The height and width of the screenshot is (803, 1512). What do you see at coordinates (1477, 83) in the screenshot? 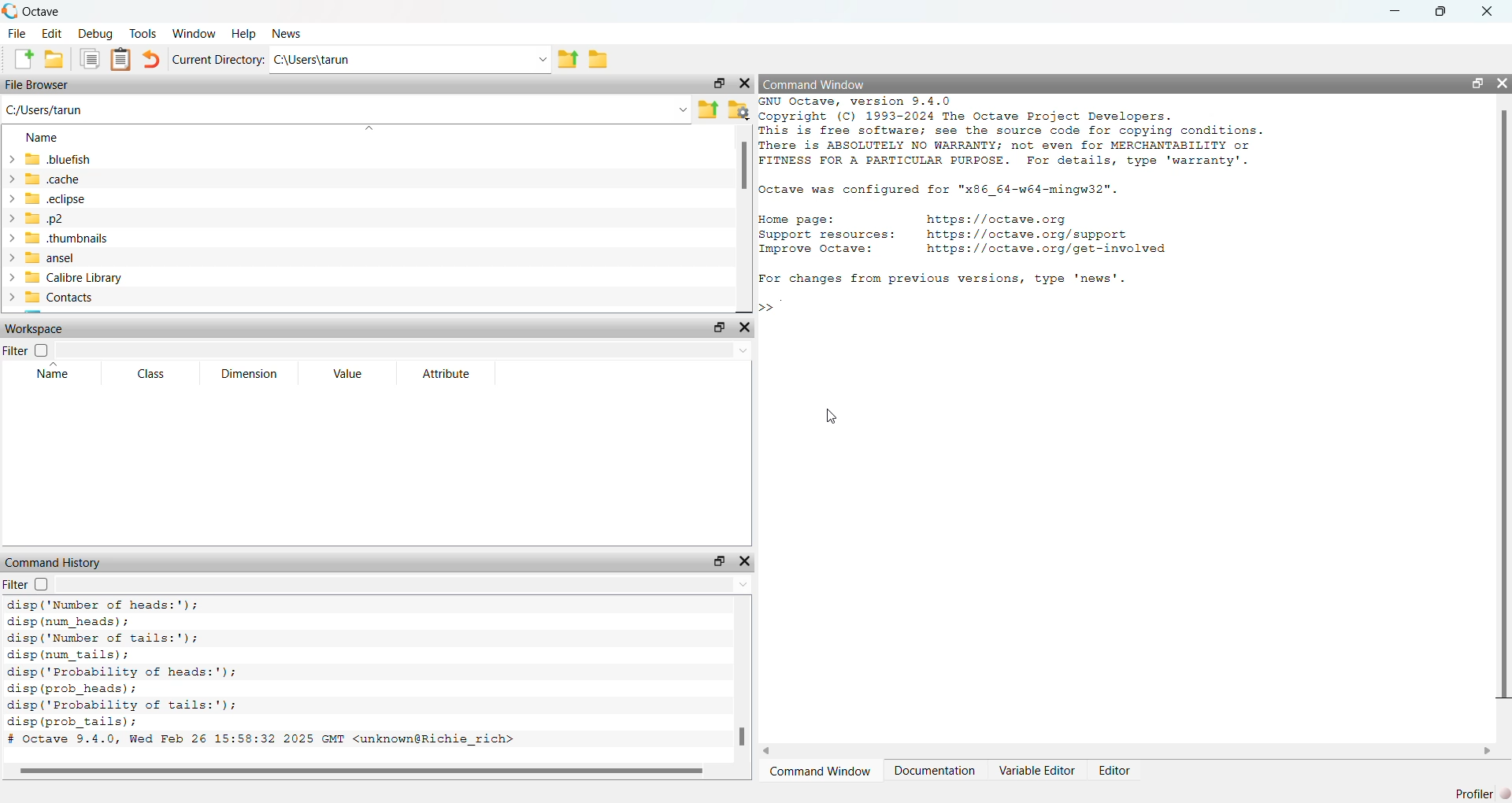
I see `Undock Widget` at bounding box center [1477, 83].